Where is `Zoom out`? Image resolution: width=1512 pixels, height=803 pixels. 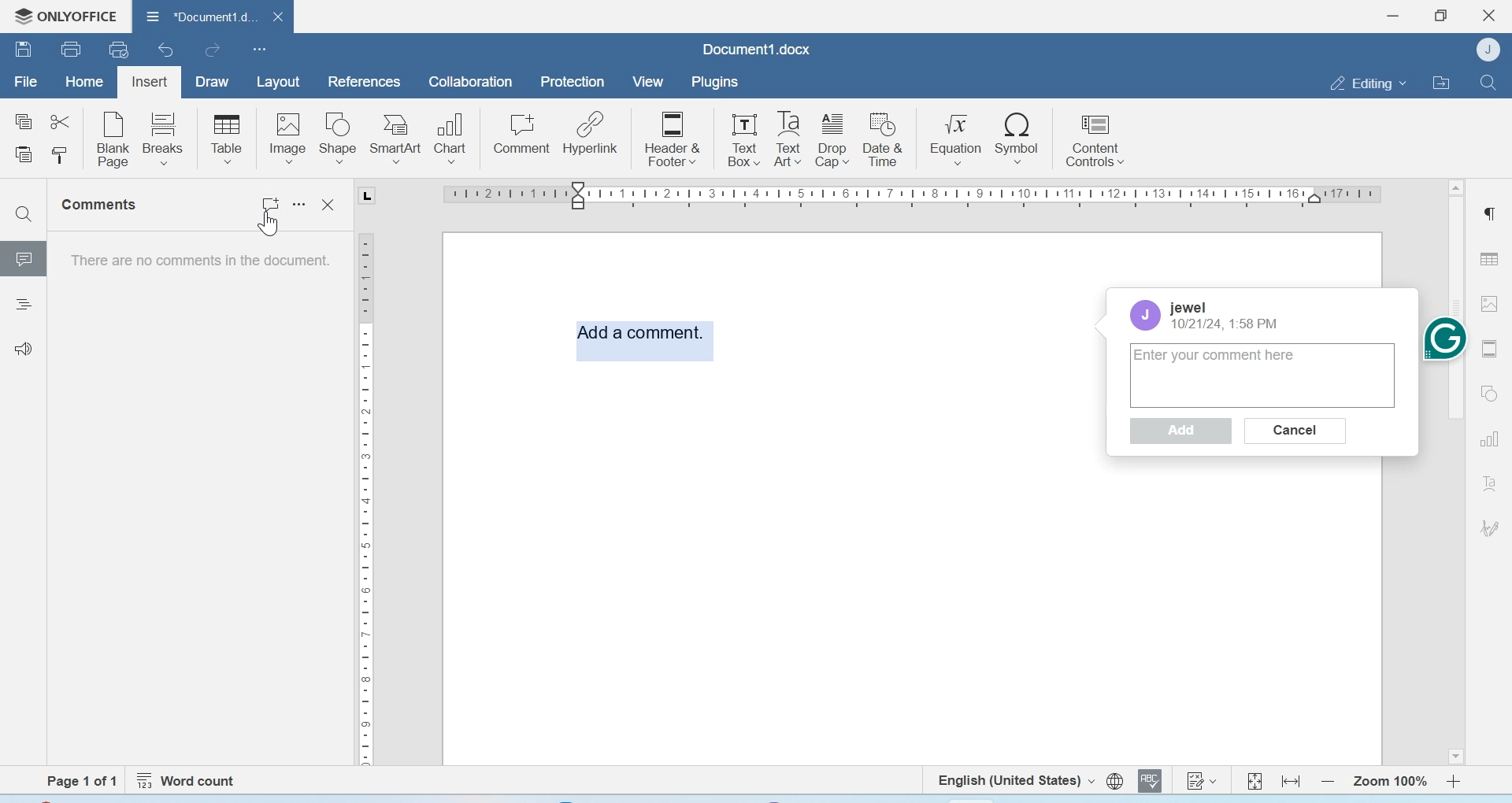
Zoom out is located at coordinates (1328, 781).